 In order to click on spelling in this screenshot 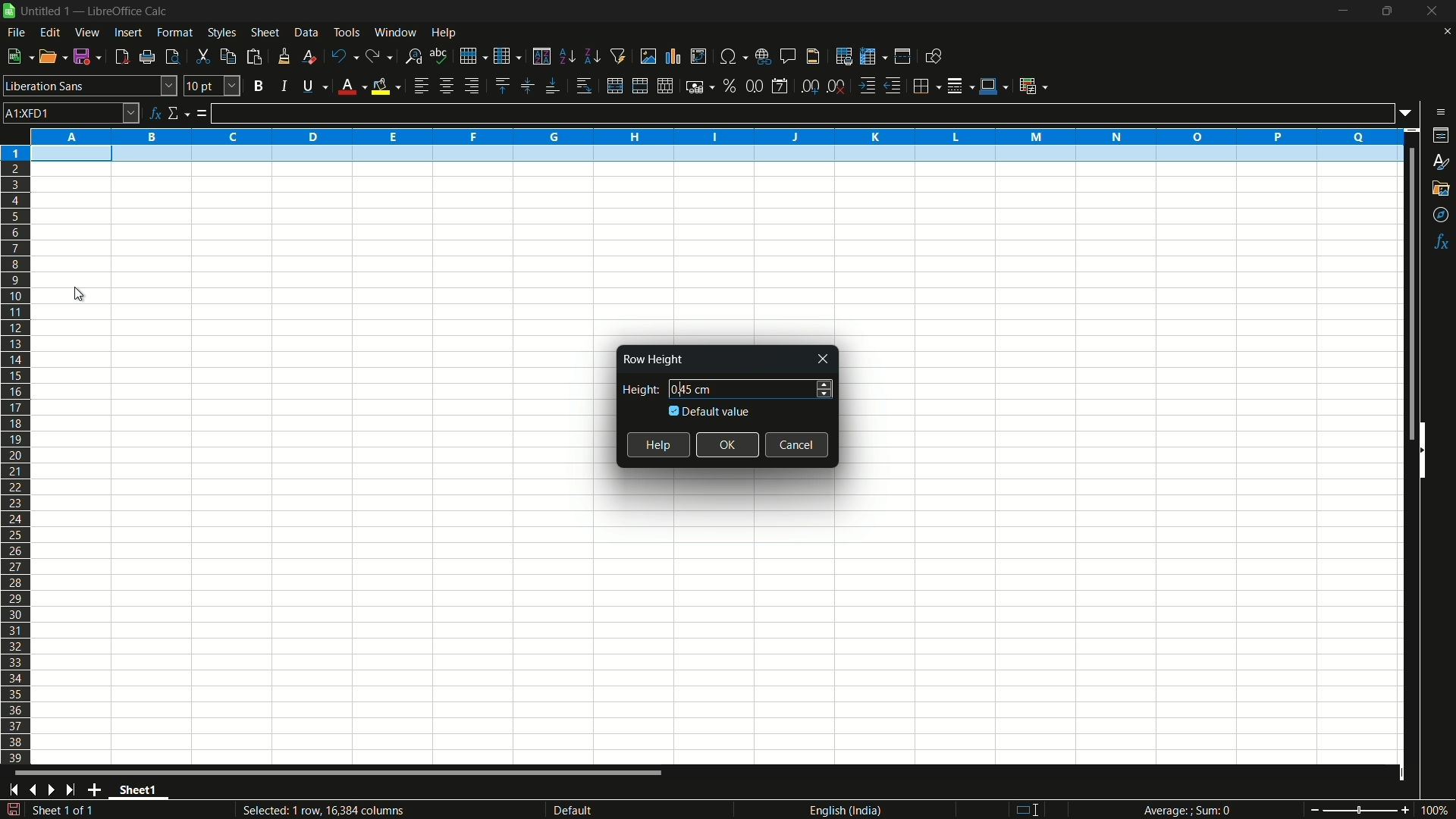, I will do `click(439, 55)`.